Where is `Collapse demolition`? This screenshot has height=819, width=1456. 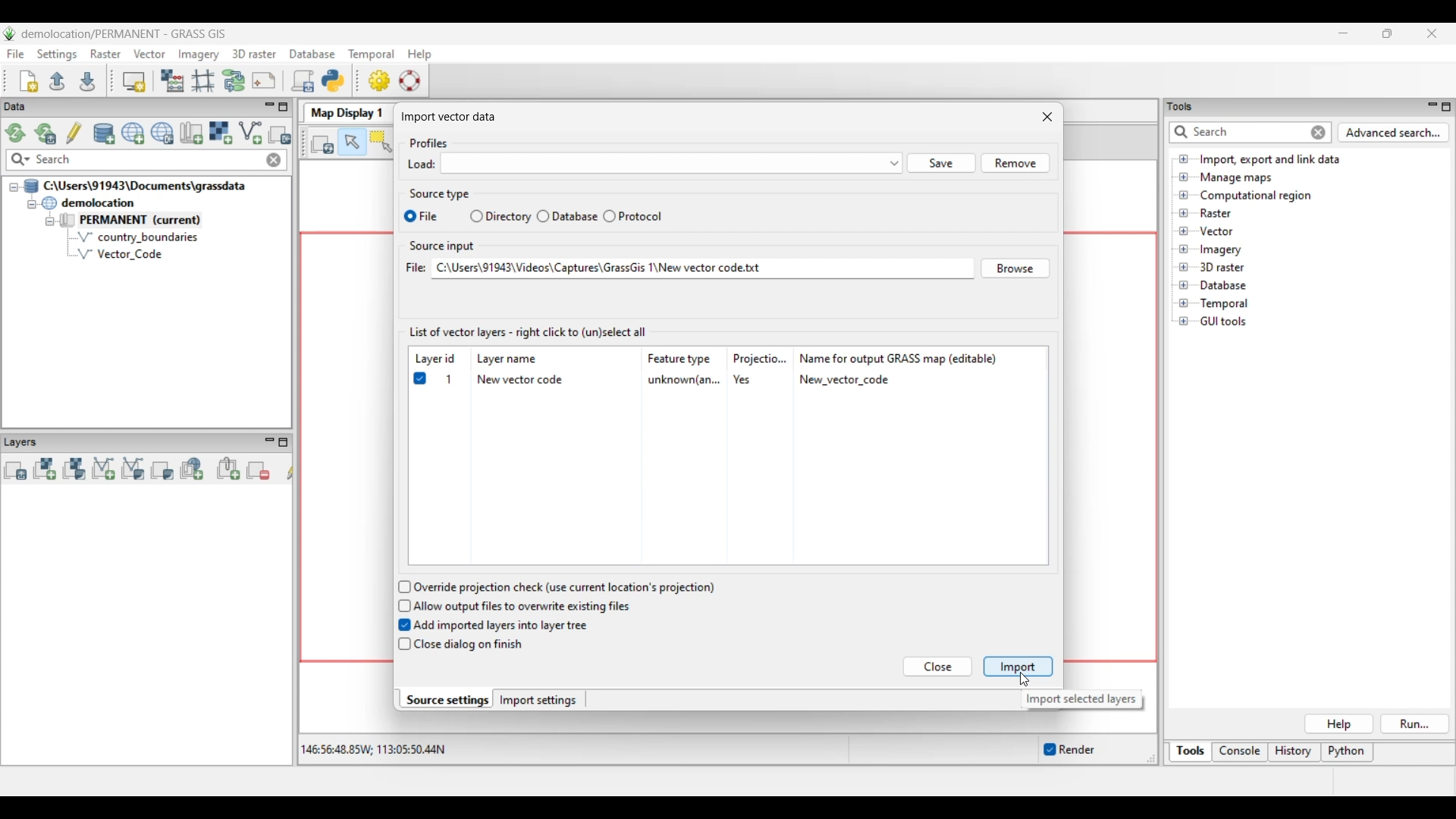
Collapse demolition is located at coordinates (31, 205).